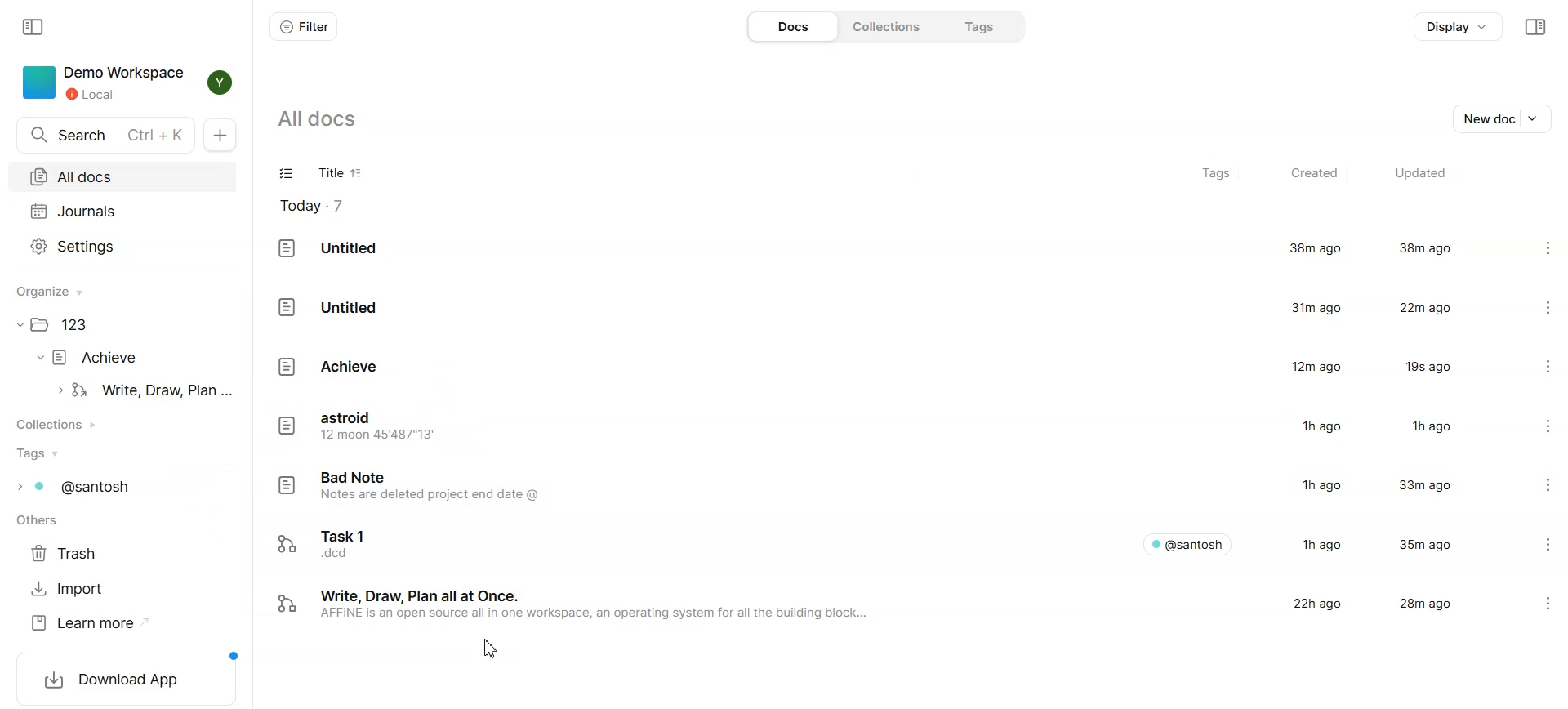 The height and width of the screenshot is (709, 1568). I want to click on Tags , so click(84, 487).